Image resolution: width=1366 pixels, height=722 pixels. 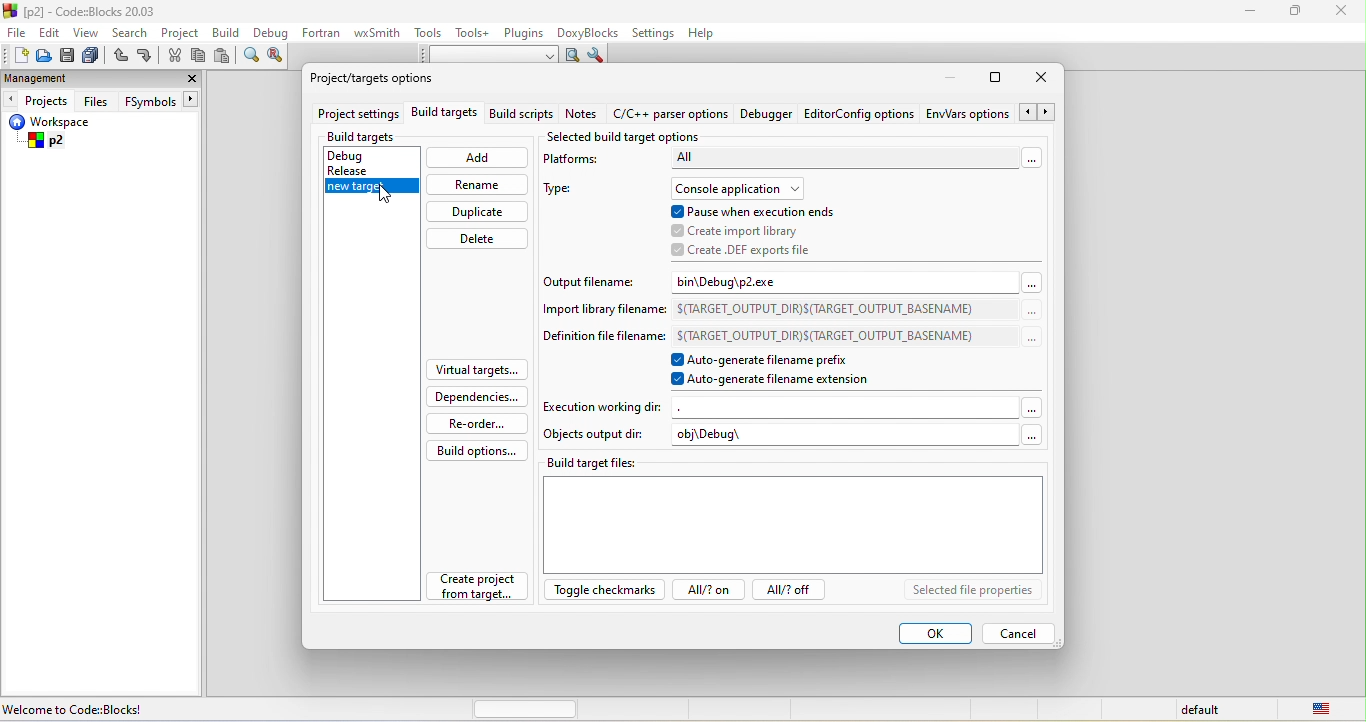 What do you see at coordinates (525, 34) in the screenshot?
I see `plugins` at bounding box center [525, 34].